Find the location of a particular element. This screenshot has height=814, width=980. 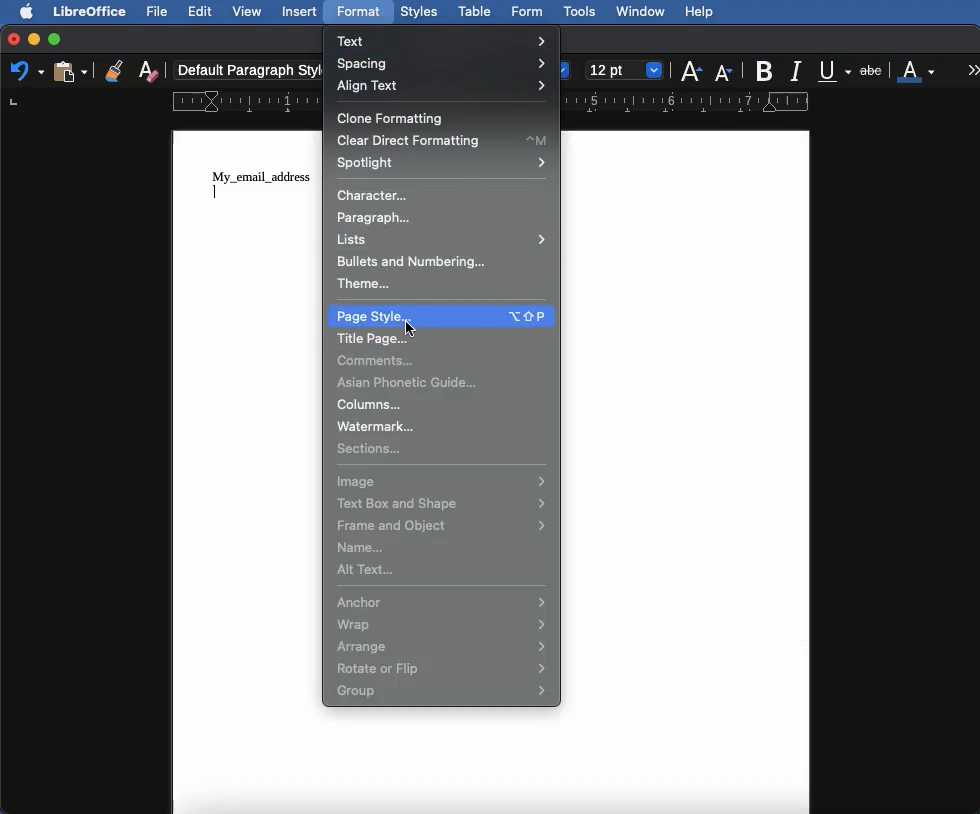

Edit is located at coordinates (200, 11).